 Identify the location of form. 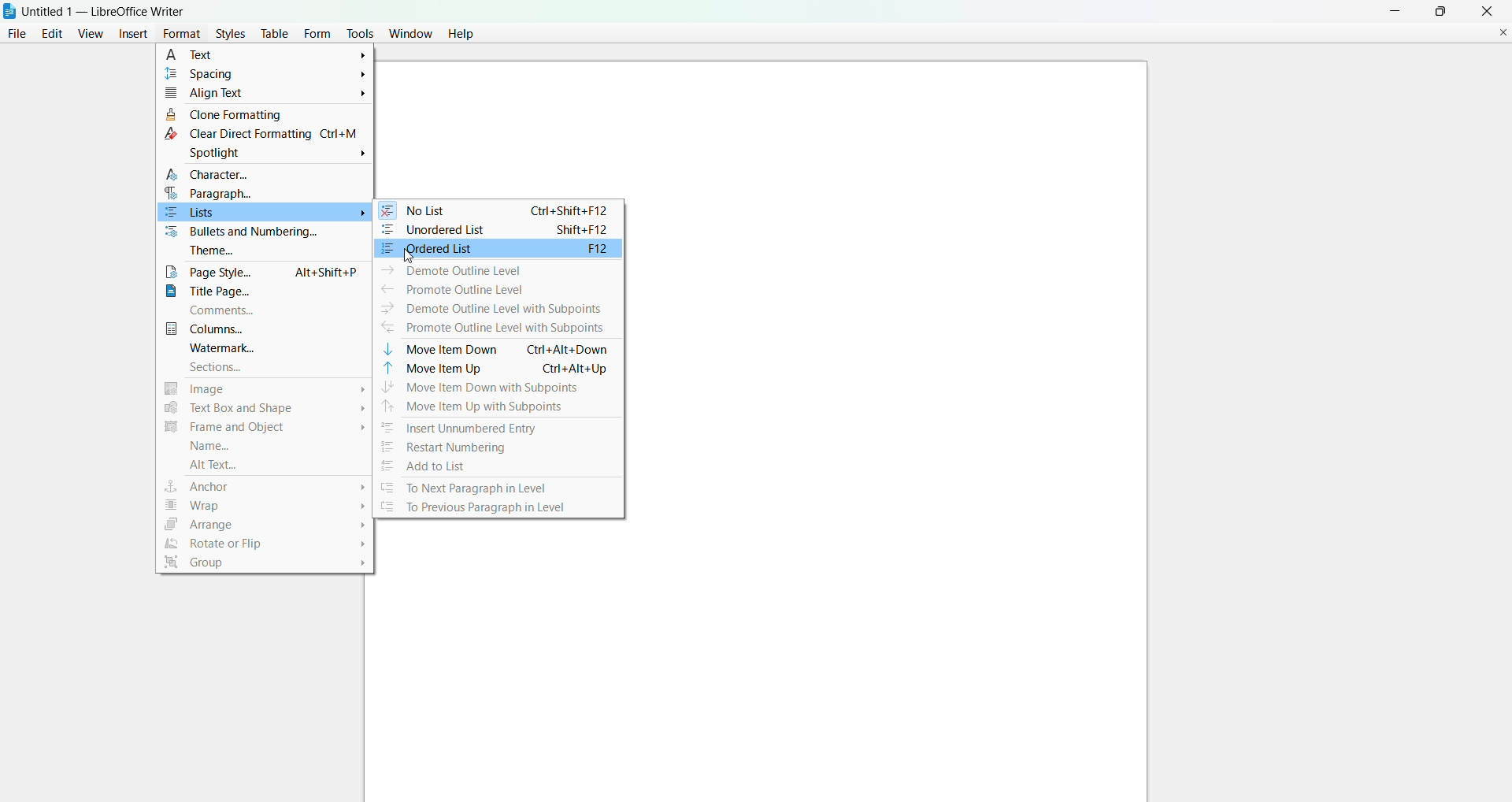
(320, 31).